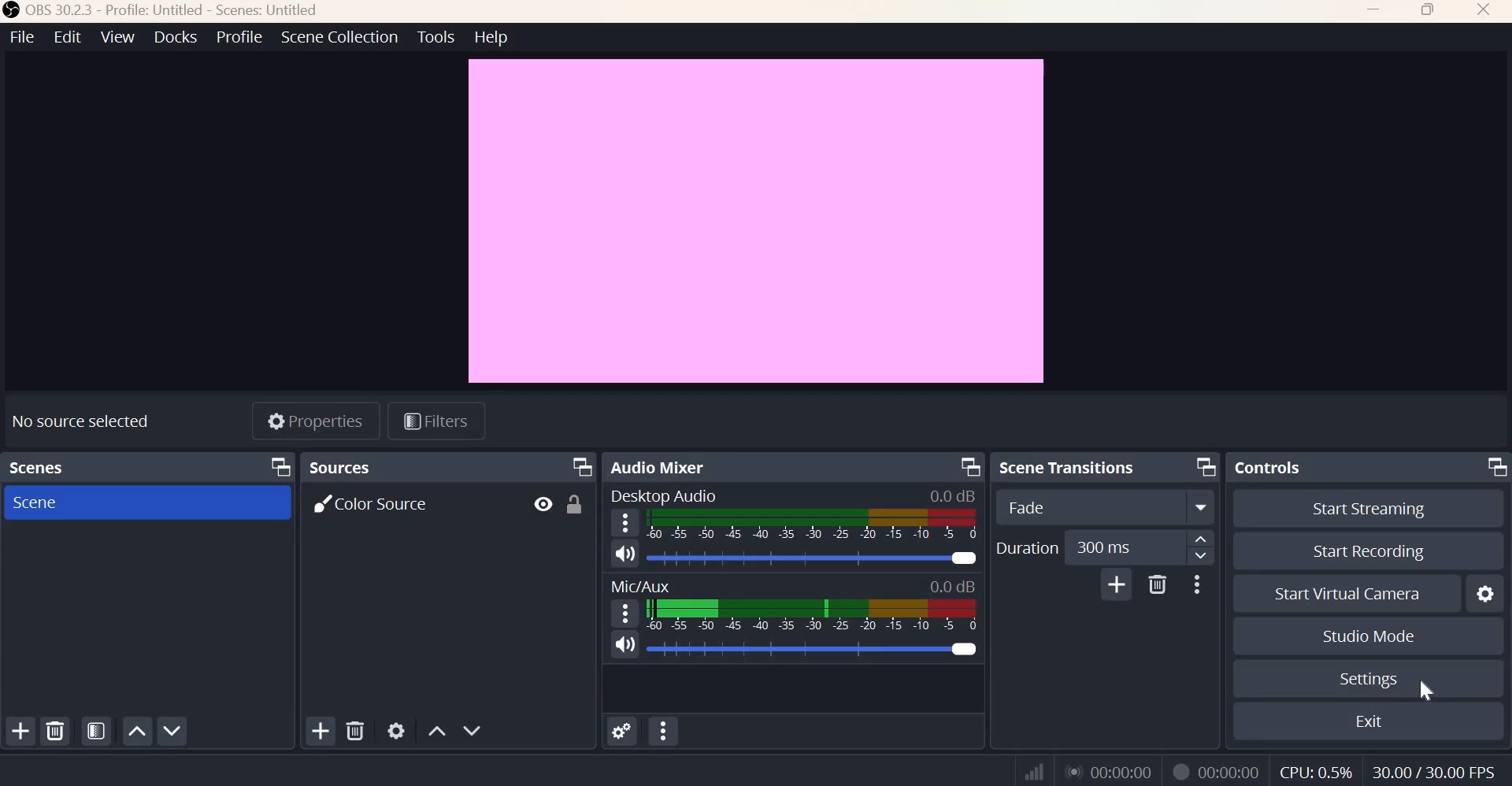  I want to click on Live Duration Timer, so click(1109, 772).